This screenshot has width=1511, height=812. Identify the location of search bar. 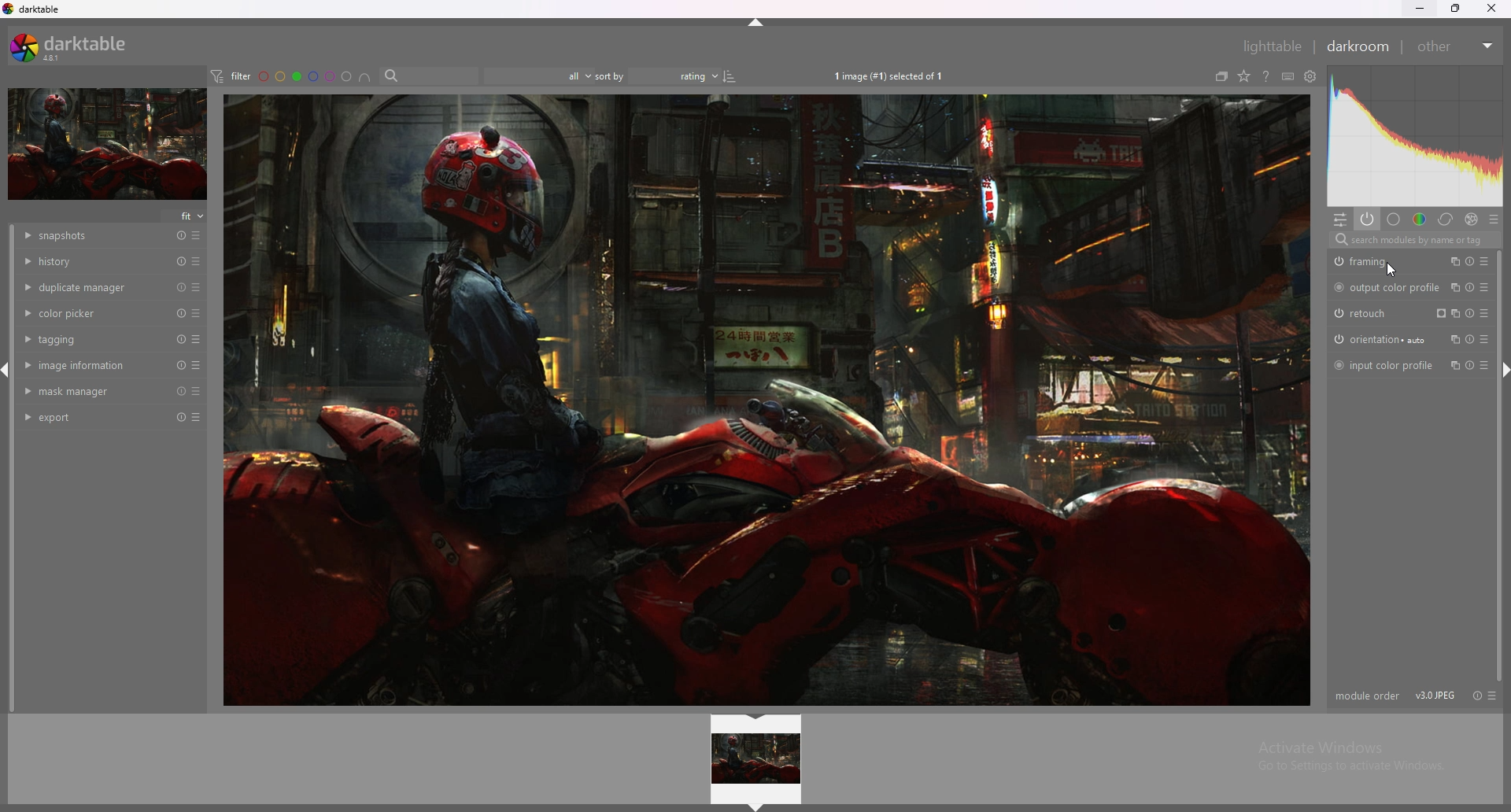
(427, 75).